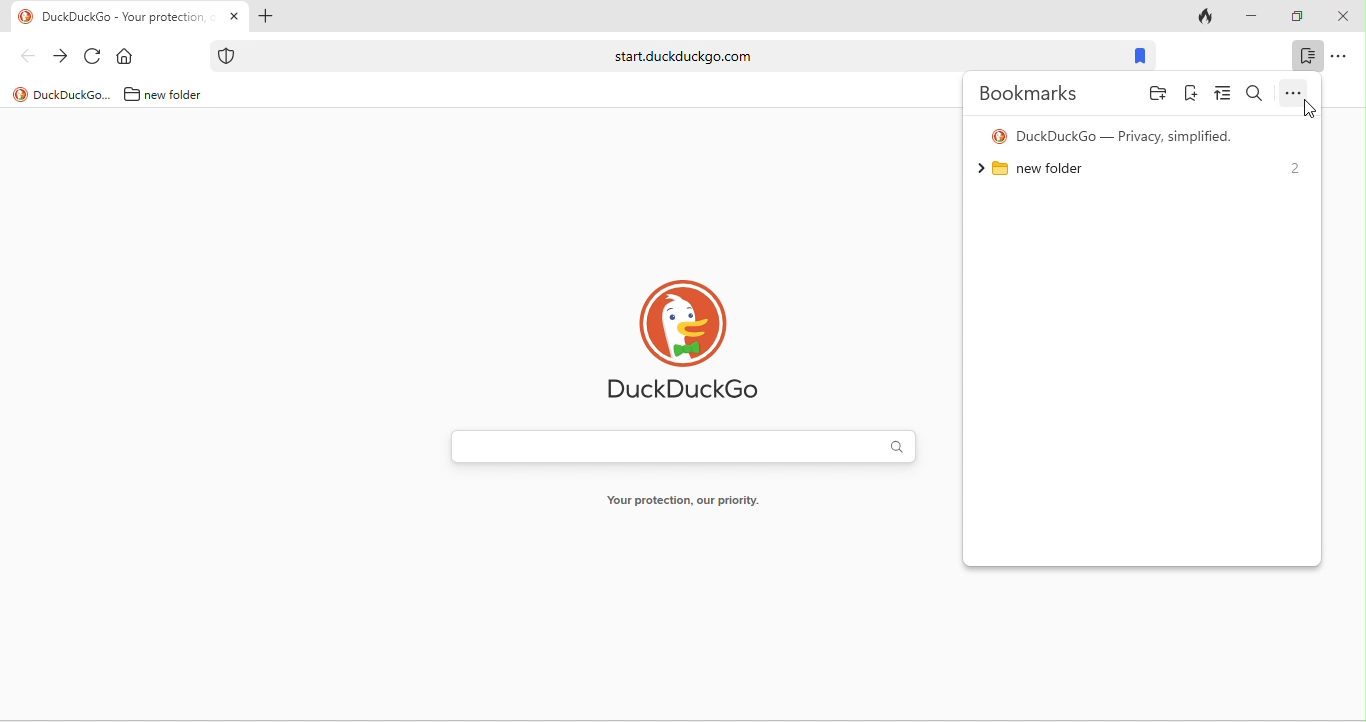  I want to click on home, so click(124, 56).